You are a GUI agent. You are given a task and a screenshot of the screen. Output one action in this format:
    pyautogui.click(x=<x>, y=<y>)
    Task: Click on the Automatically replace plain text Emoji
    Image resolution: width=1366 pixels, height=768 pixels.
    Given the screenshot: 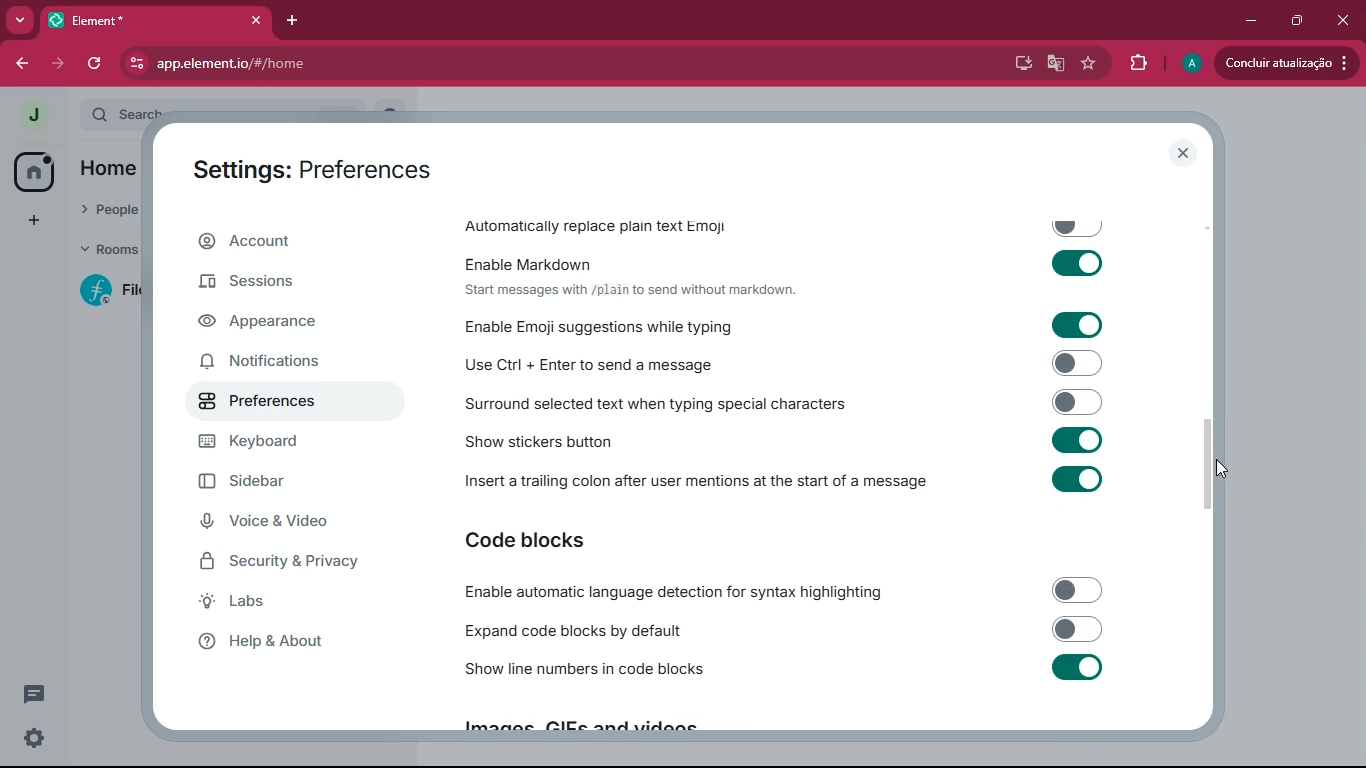 What is the action you would take?
    pyautogui.click(x=786, y=222)
    